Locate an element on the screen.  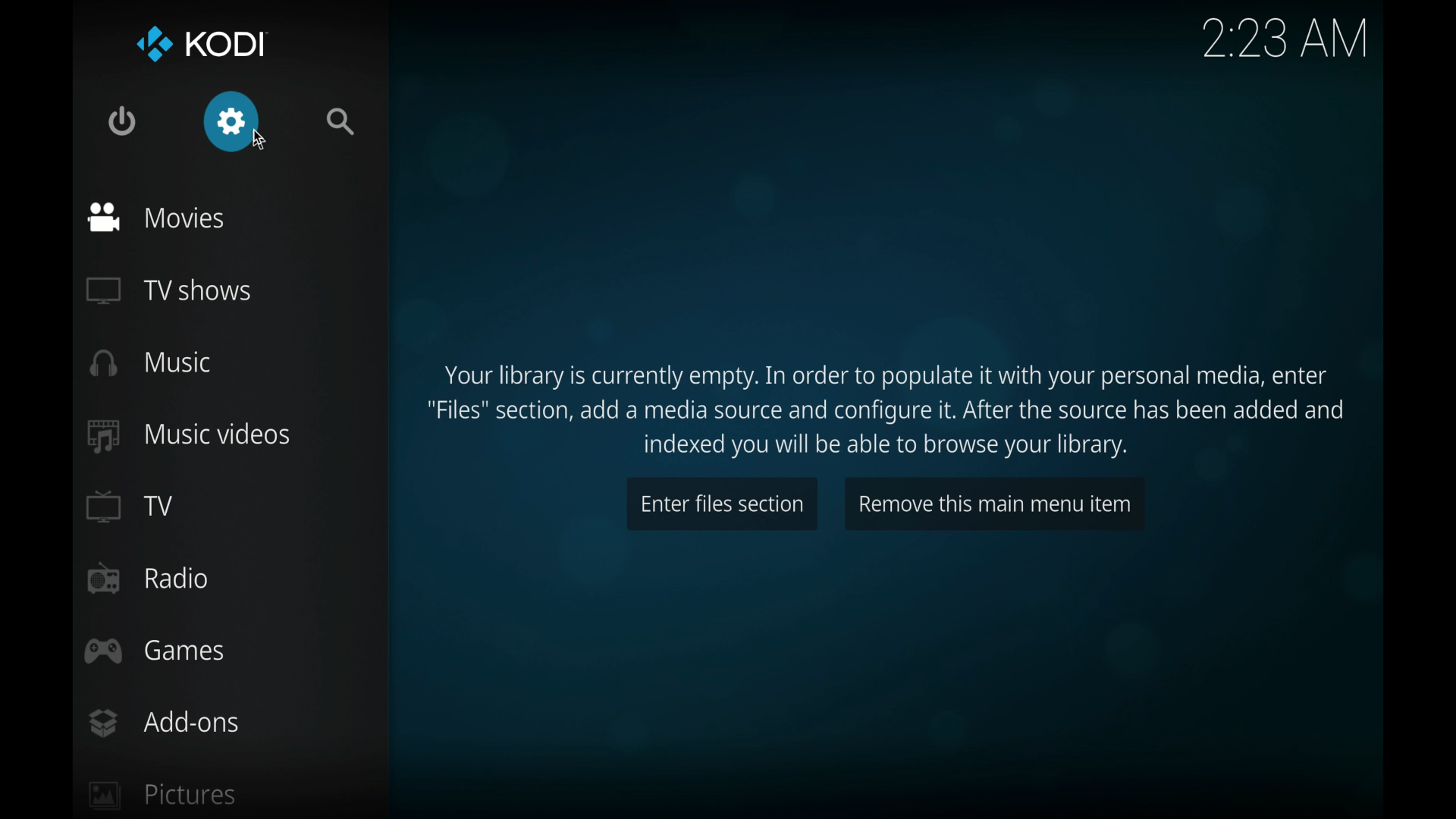
movies is located at coordinates (155, 217).